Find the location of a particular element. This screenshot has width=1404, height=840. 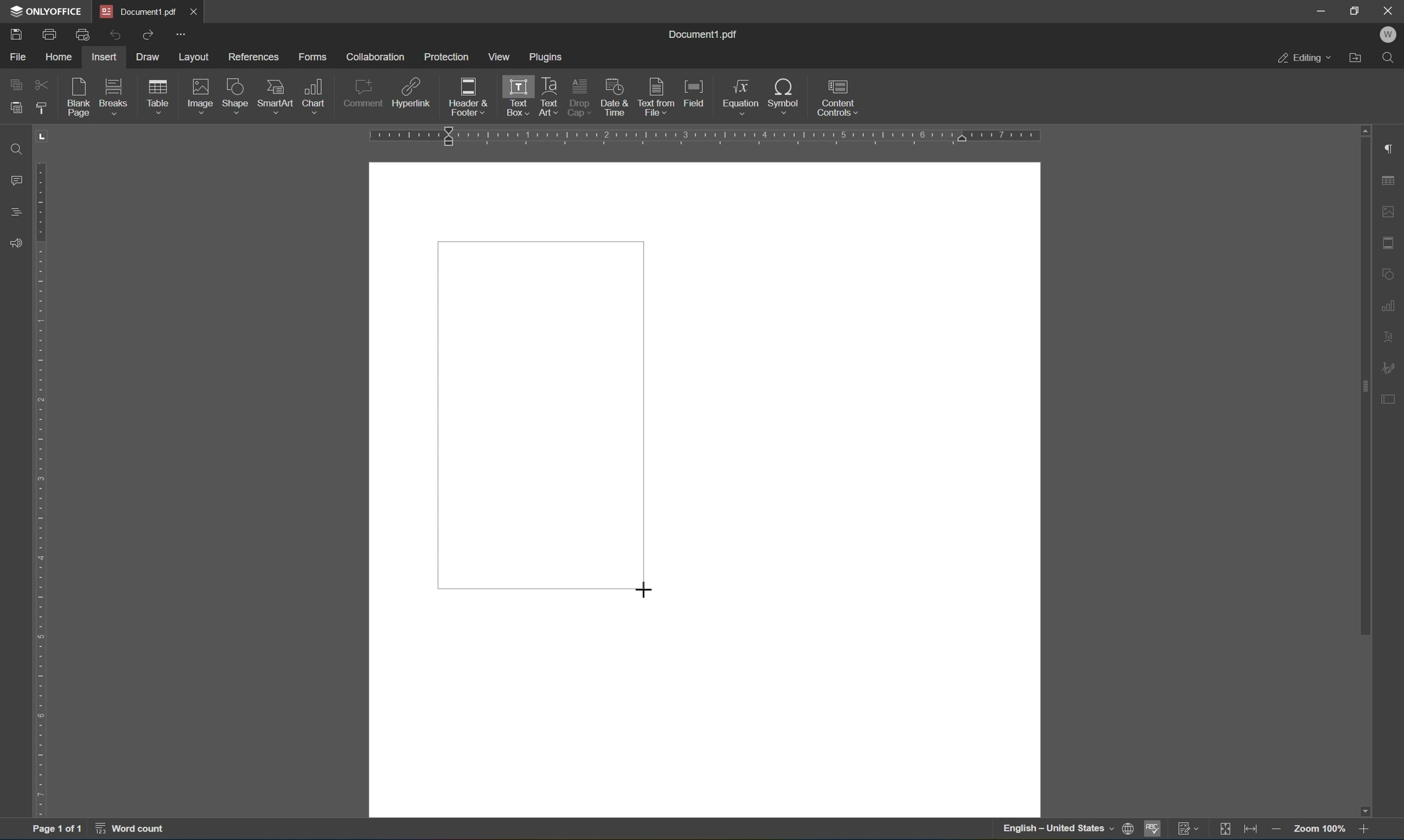

cut is located at coordinates (42, 84).